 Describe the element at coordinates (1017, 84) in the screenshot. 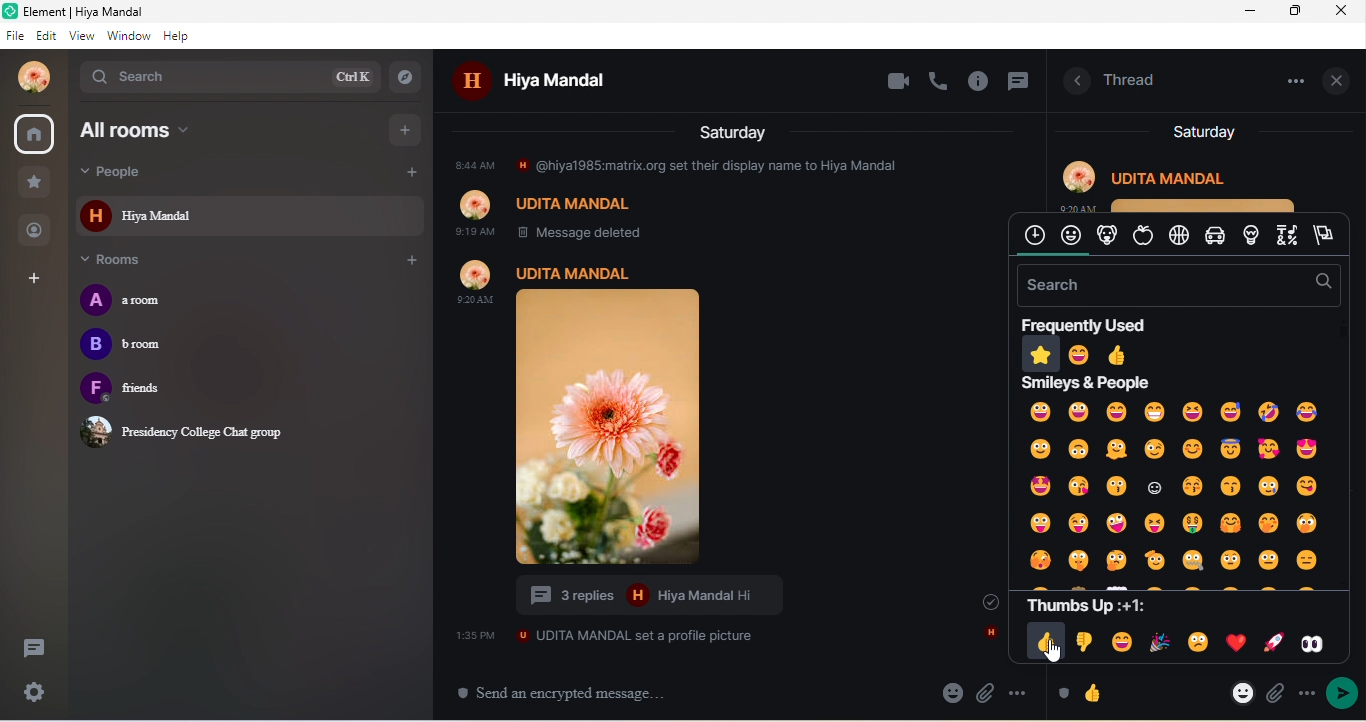

I see `threads` at that location.